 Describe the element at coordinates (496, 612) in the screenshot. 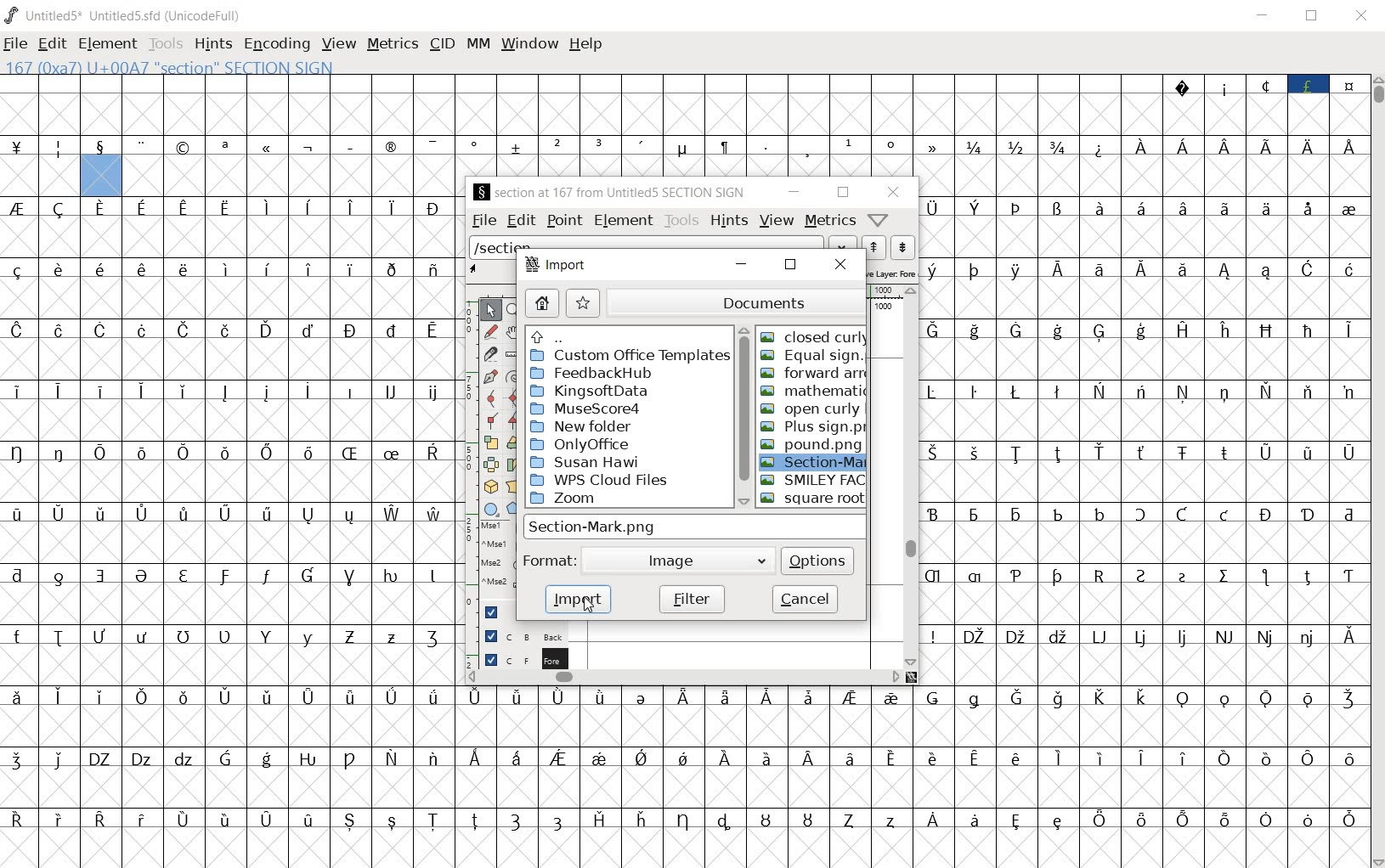

I see `Guide` at that location.